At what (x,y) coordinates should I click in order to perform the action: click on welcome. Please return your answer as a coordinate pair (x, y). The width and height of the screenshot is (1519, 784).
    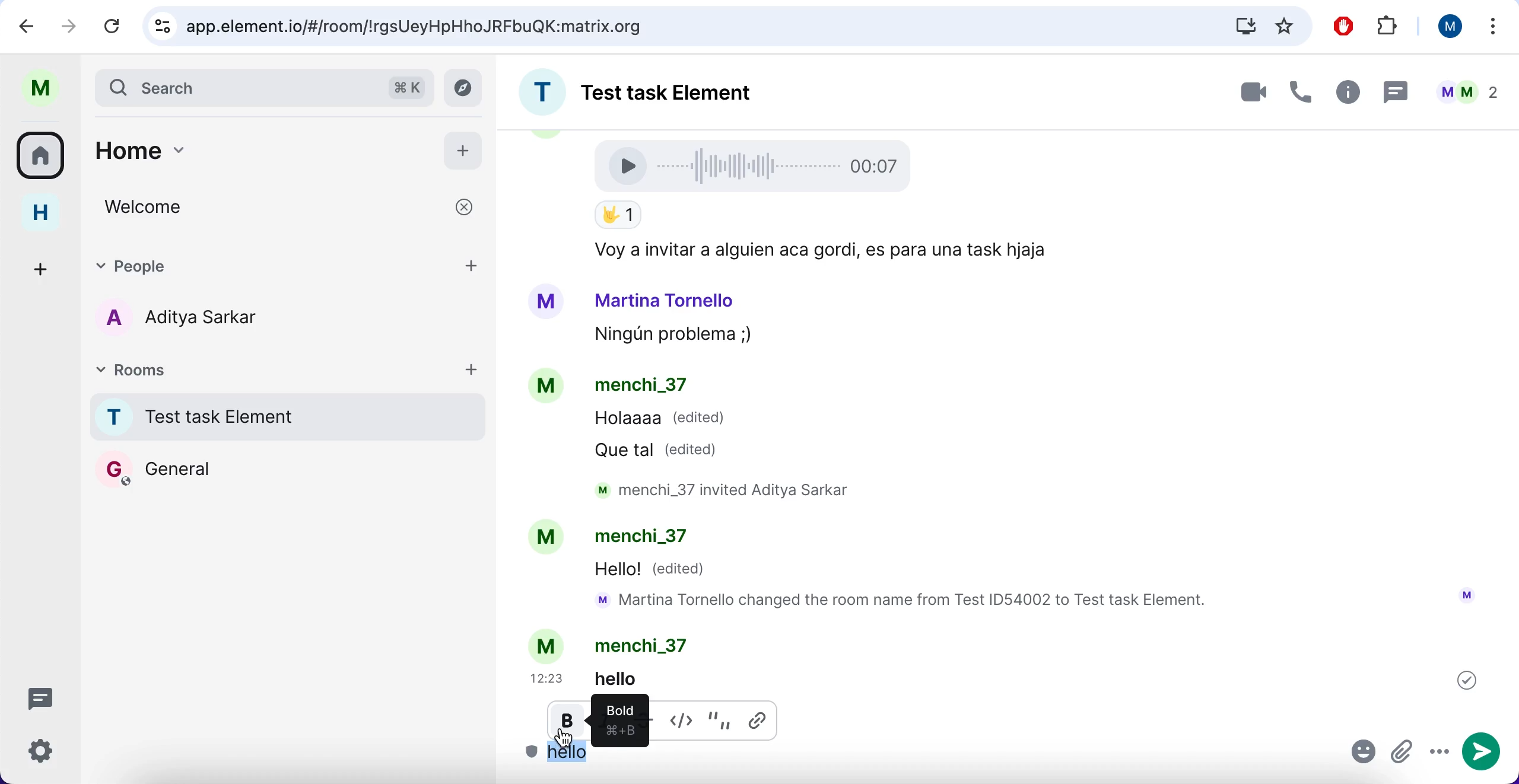
    Looking at the image, I should click on (291, 207).